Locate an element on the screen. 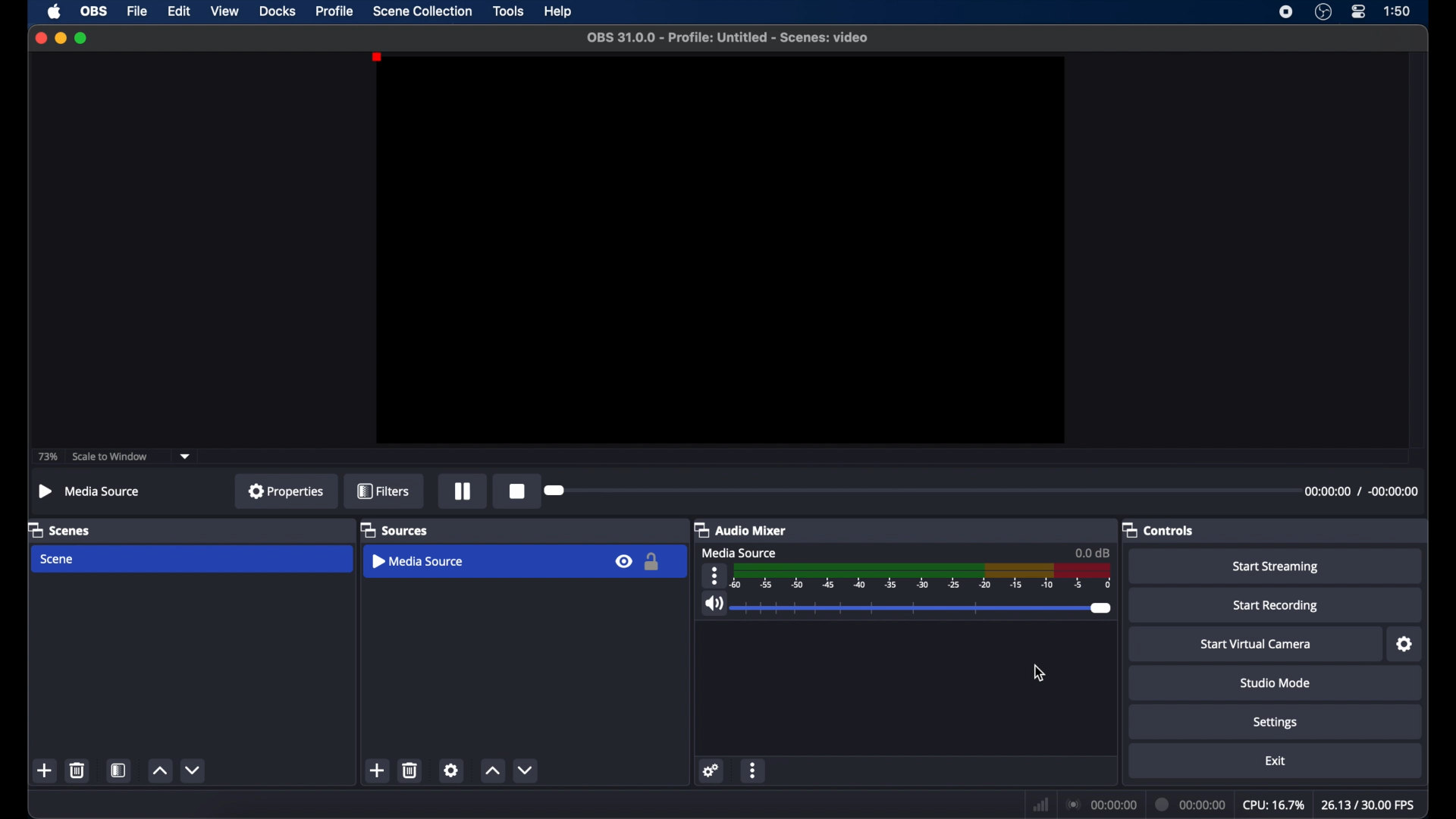 The height and width of the screenshot is (819, 1456).  is located at coordinates (1274, 804).